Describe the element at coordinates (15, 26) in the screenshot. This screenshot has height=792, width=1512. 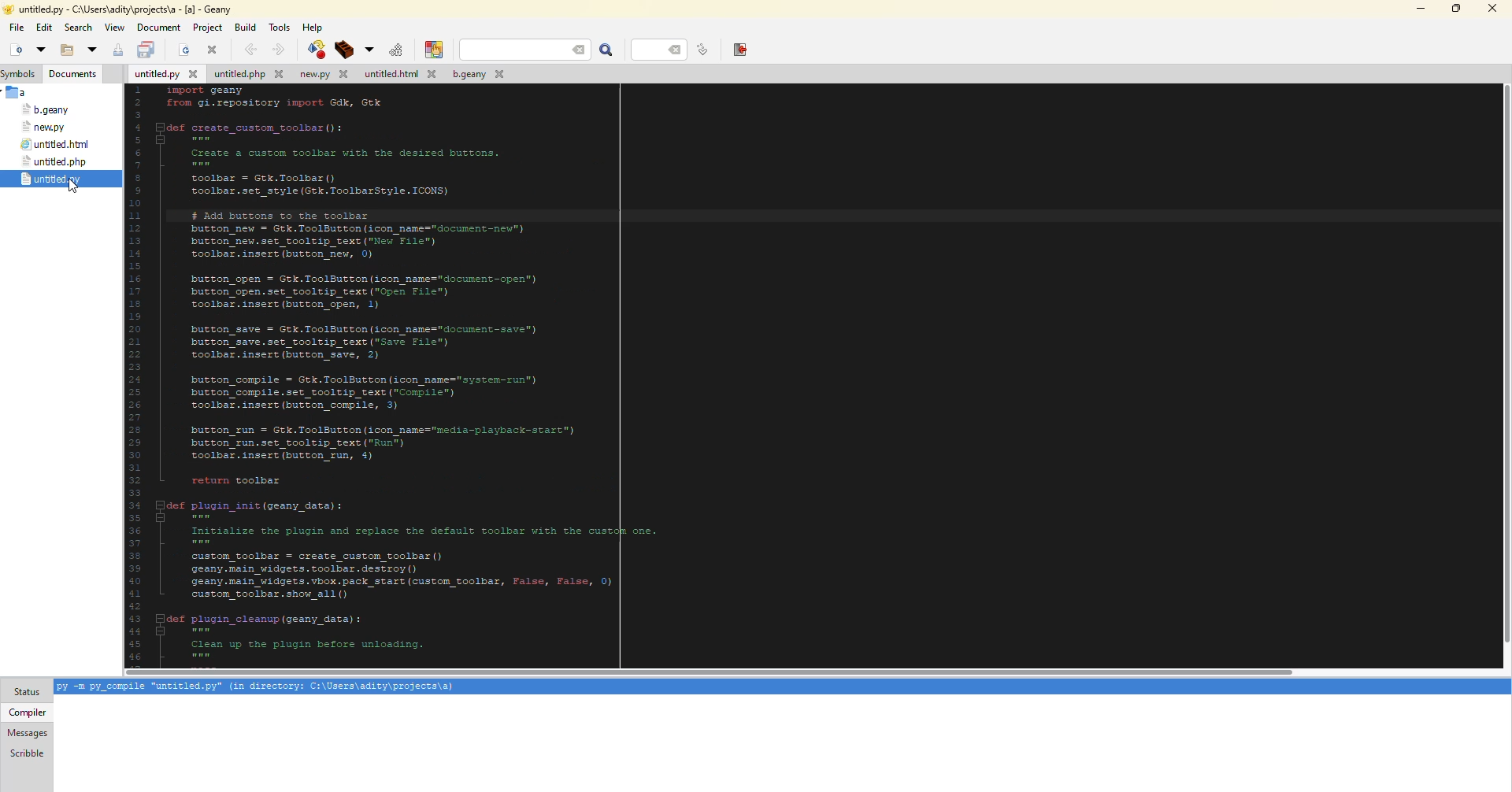
I see `file` at that location.